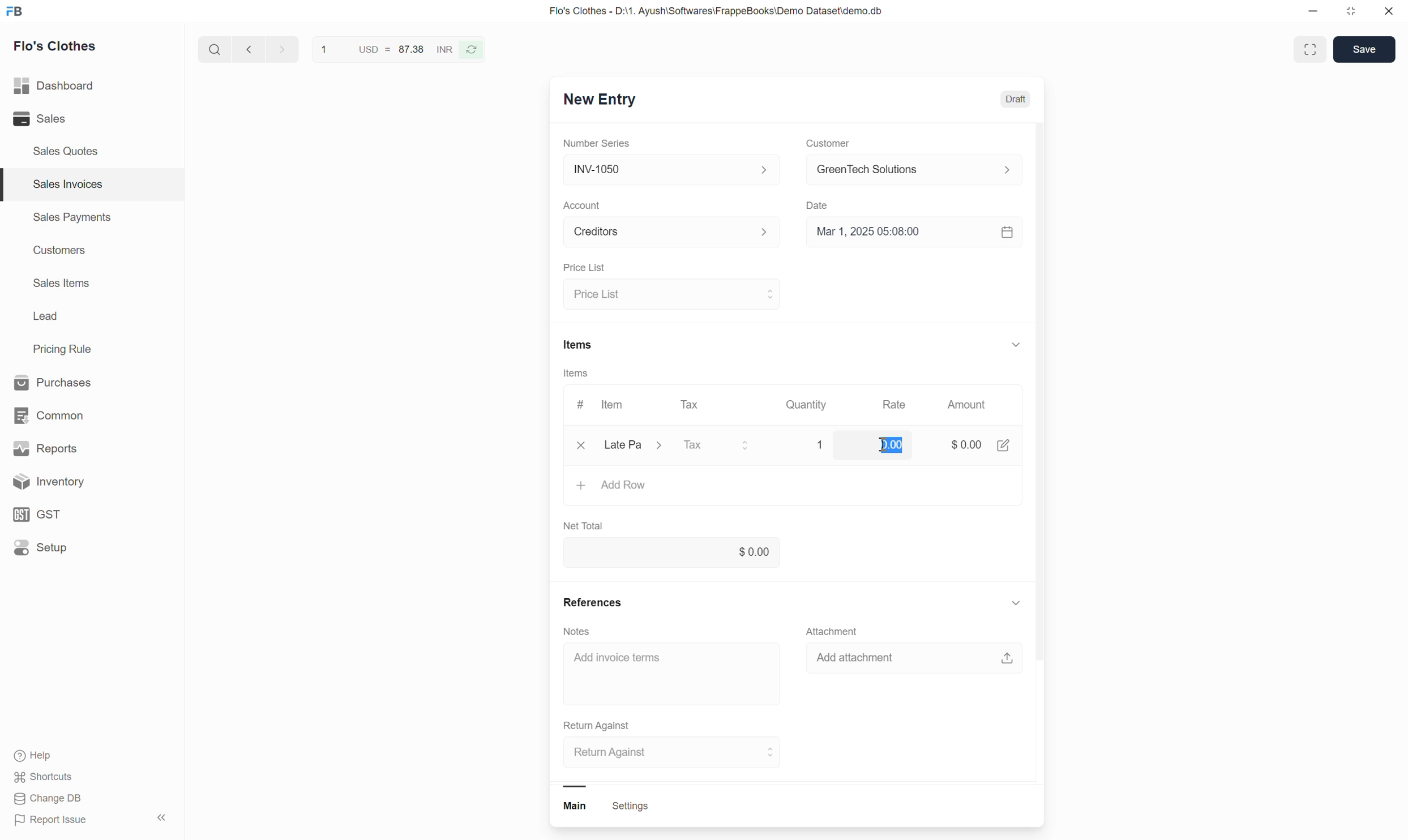 Image resolution: width=1408 pixels, height=840 pixels. What do you see at coordinates (580, 808) in the screenshot?
I see `main` at bounding box center [580, 808].